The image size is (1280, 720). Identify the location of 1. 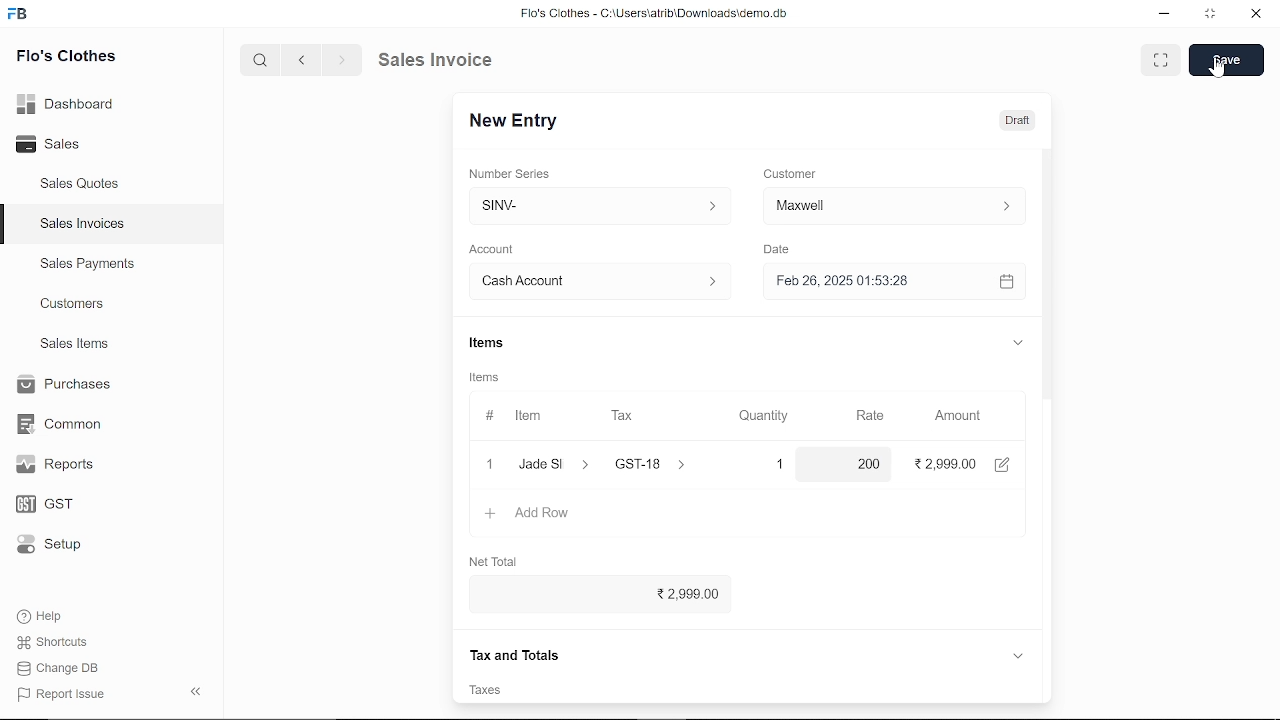
(762, 464).